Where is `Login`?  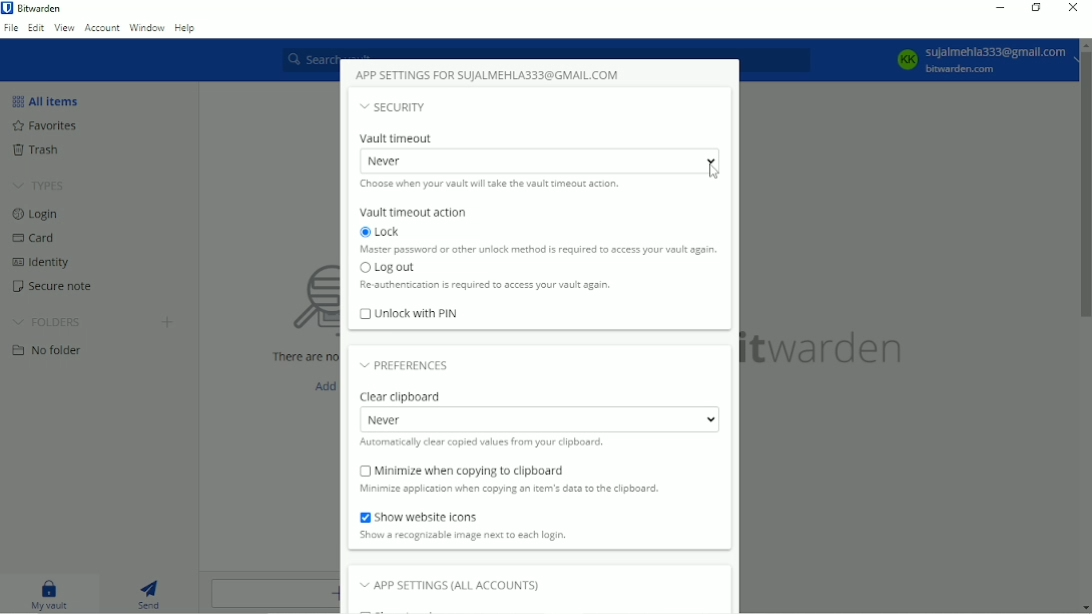 Login is located at coordinates (35, 215).